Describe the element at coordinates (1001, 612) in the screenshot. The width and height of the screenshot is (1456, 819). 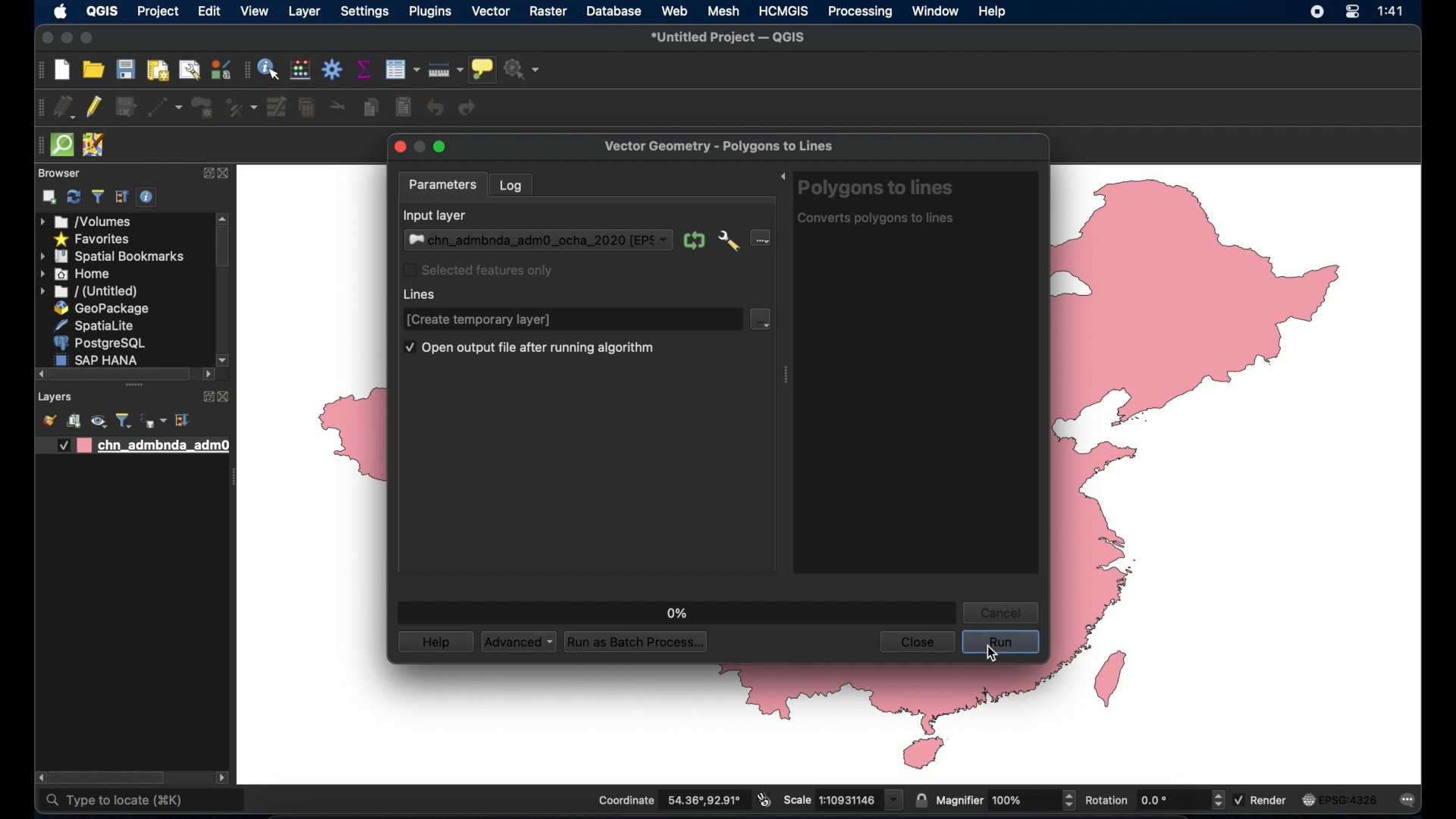
I see `cancel` at that location.